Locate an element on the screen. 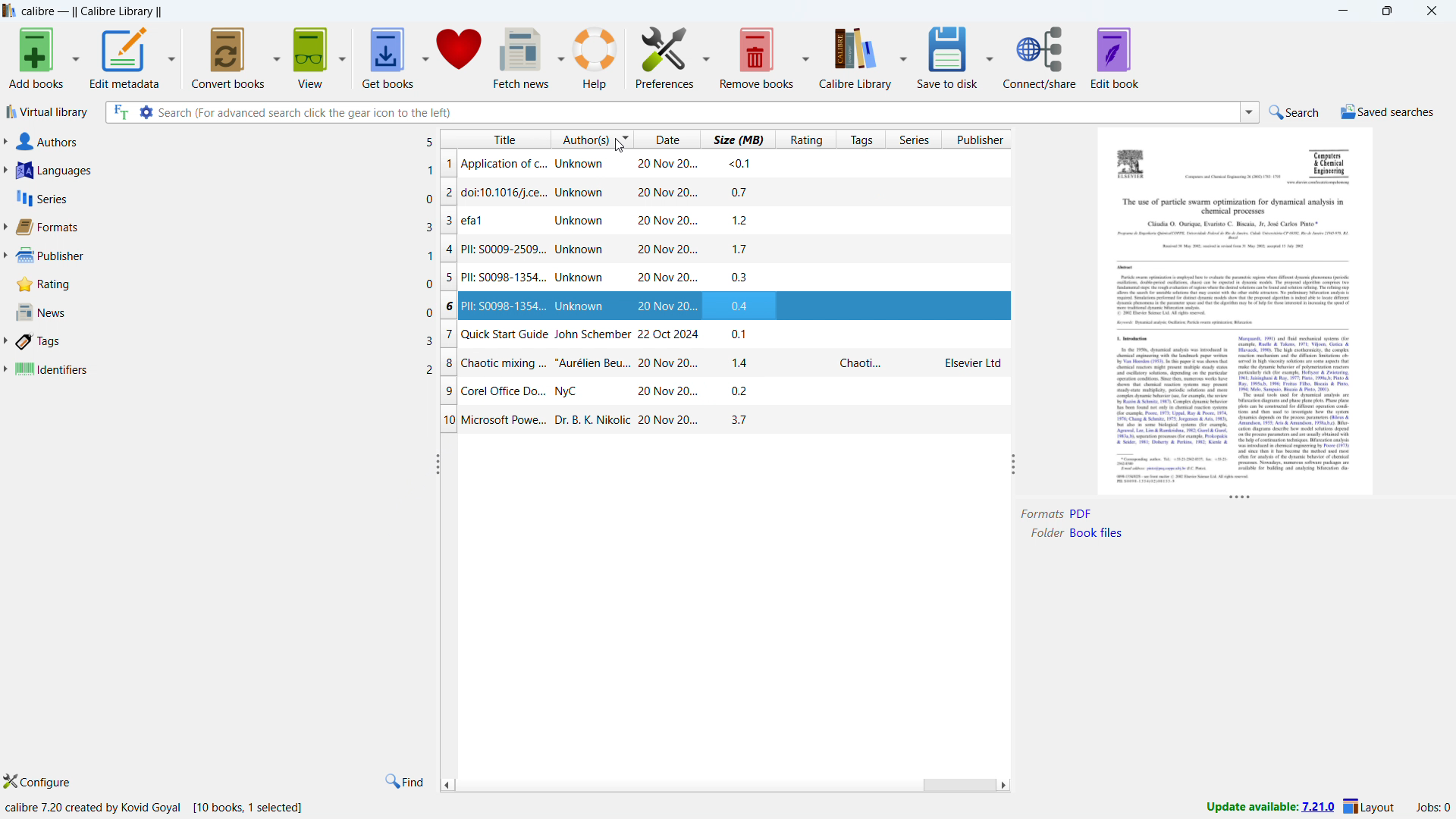  advanced search is located at coordinates (146, 112).